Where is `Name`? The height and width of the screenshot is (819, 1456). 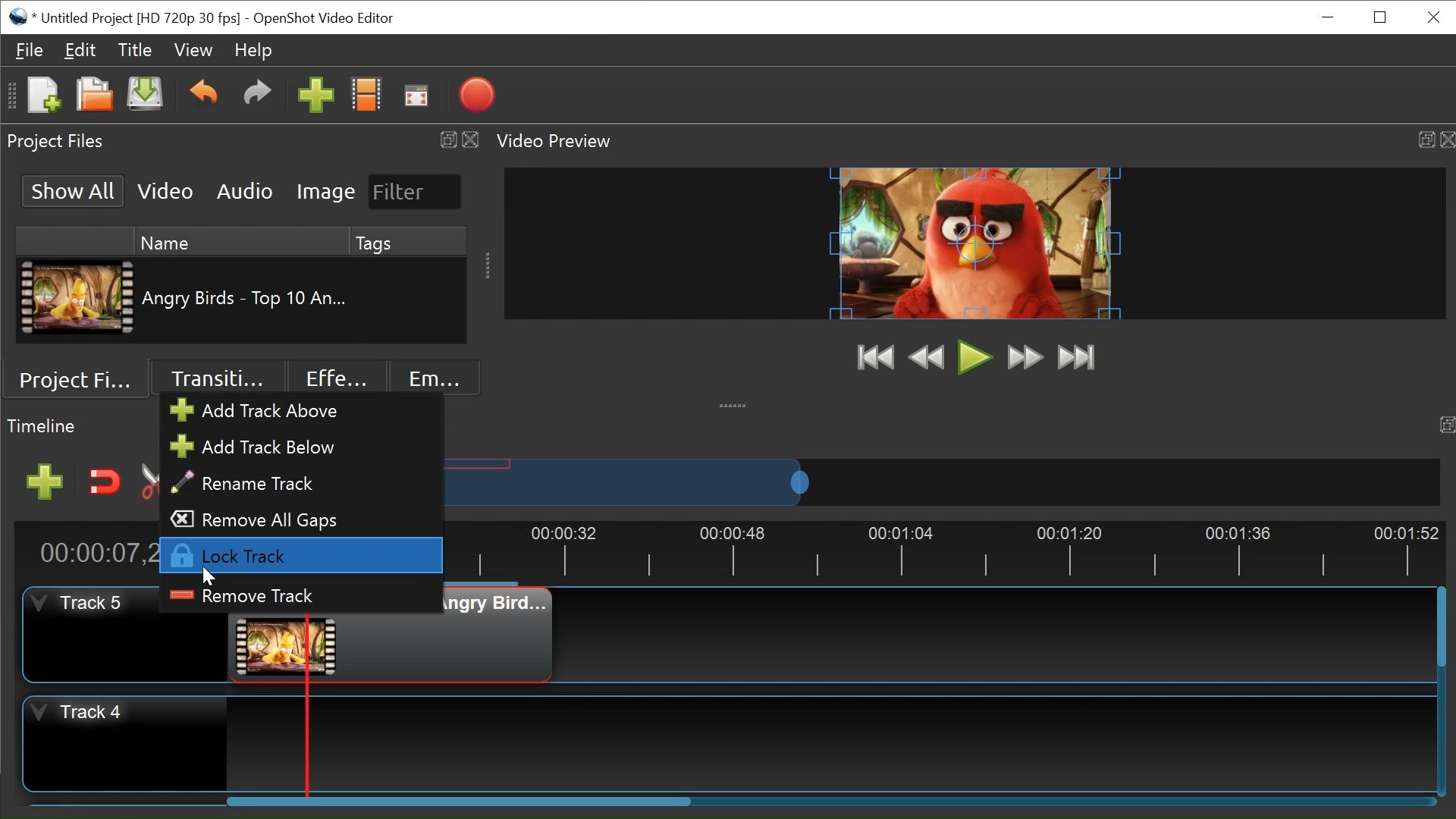 Name is located at coordinates (236, 242).